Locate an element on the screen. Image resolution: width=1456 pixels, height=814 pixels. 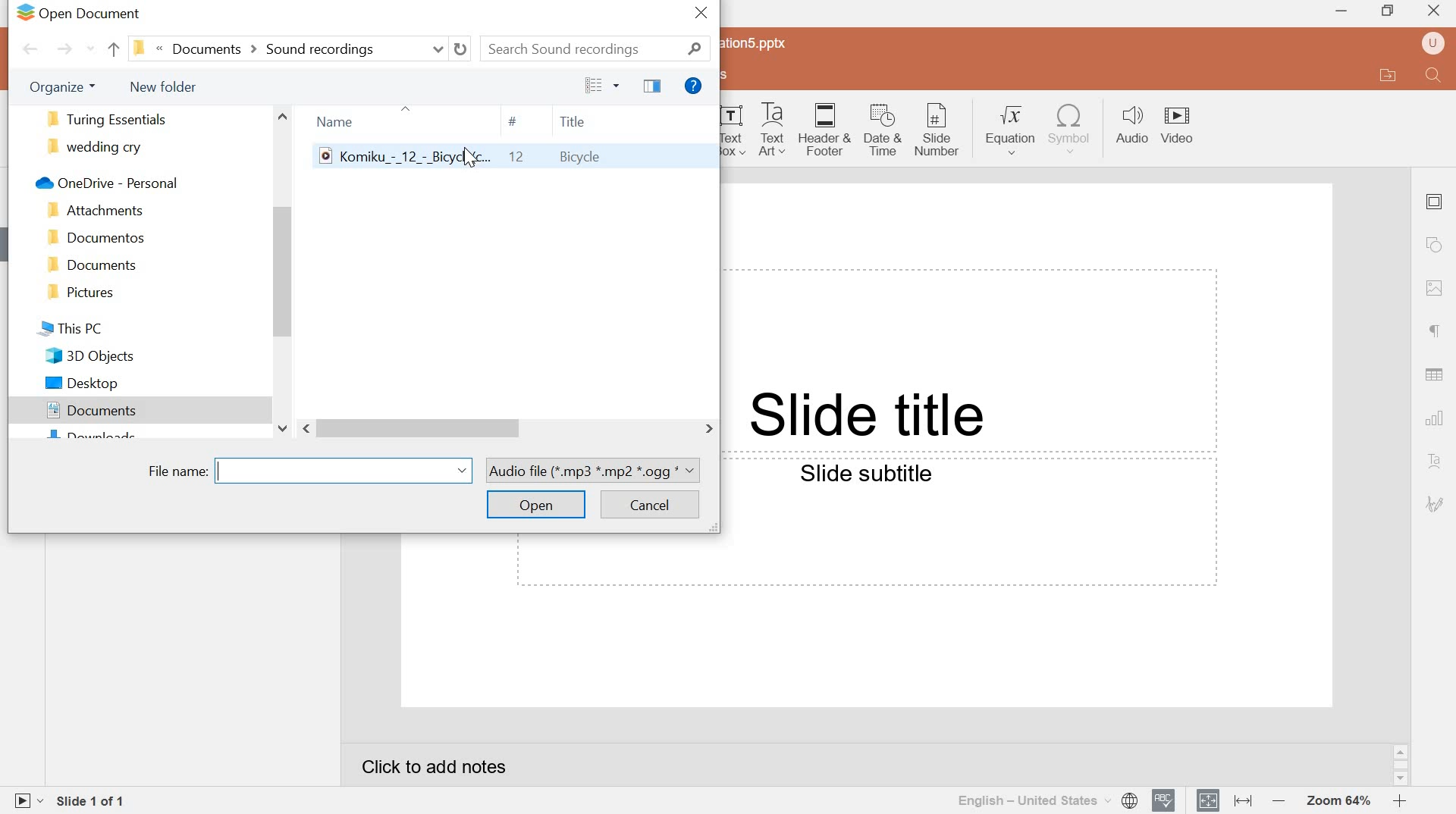
select document language is located at coordinates (1047, 800).